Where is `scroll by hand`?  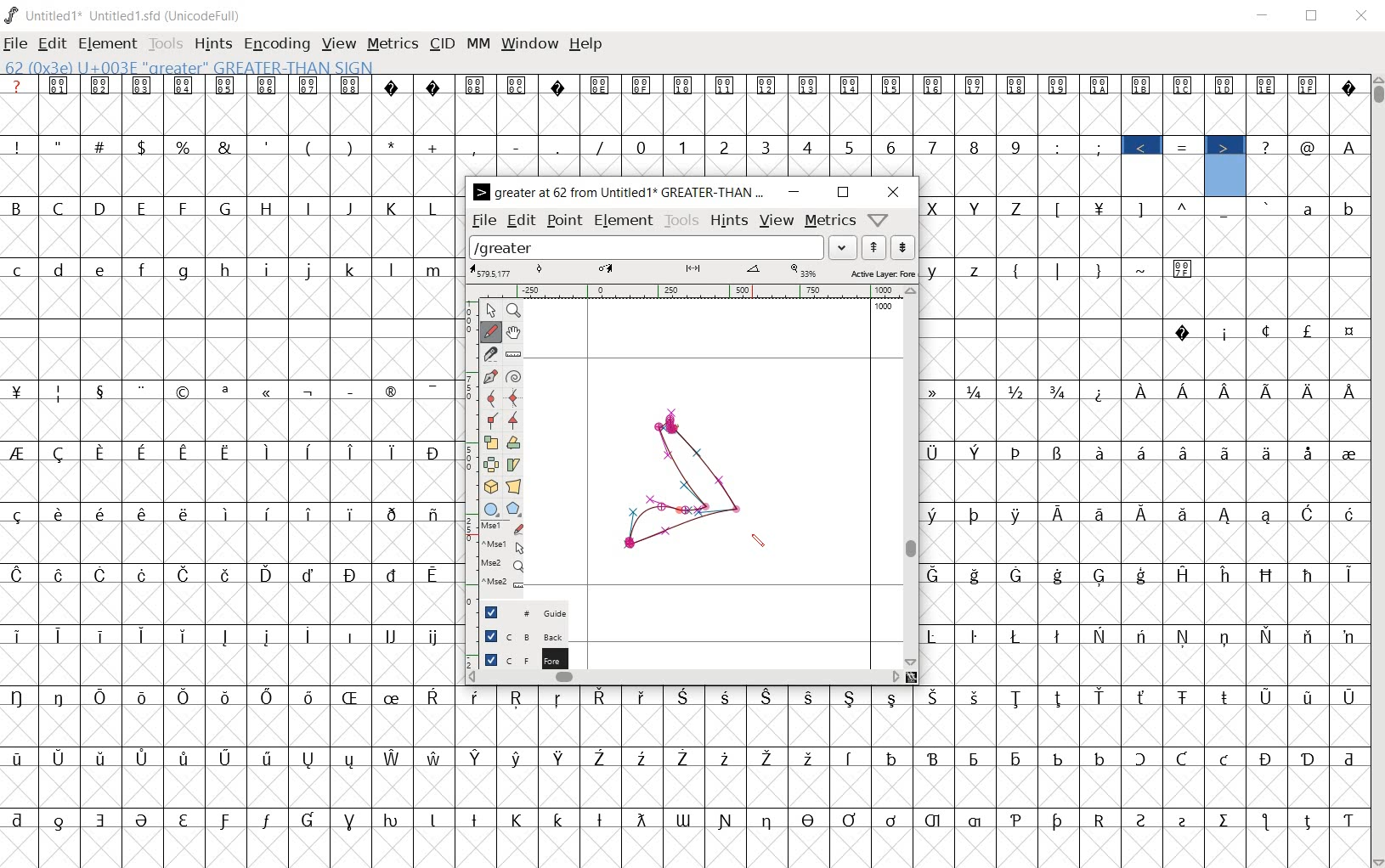
scroll by hand is located at coordinates (512, 332).